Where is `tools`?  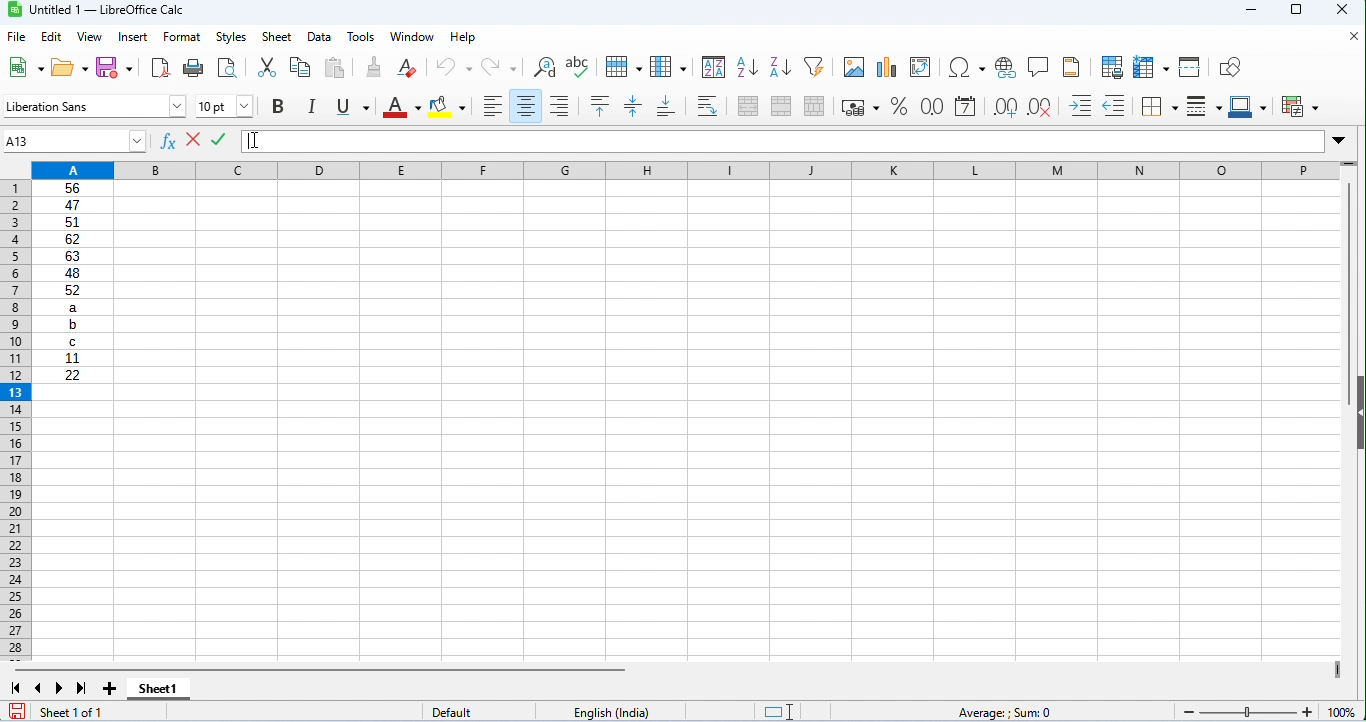 tools is located at coordinates (363, 37).